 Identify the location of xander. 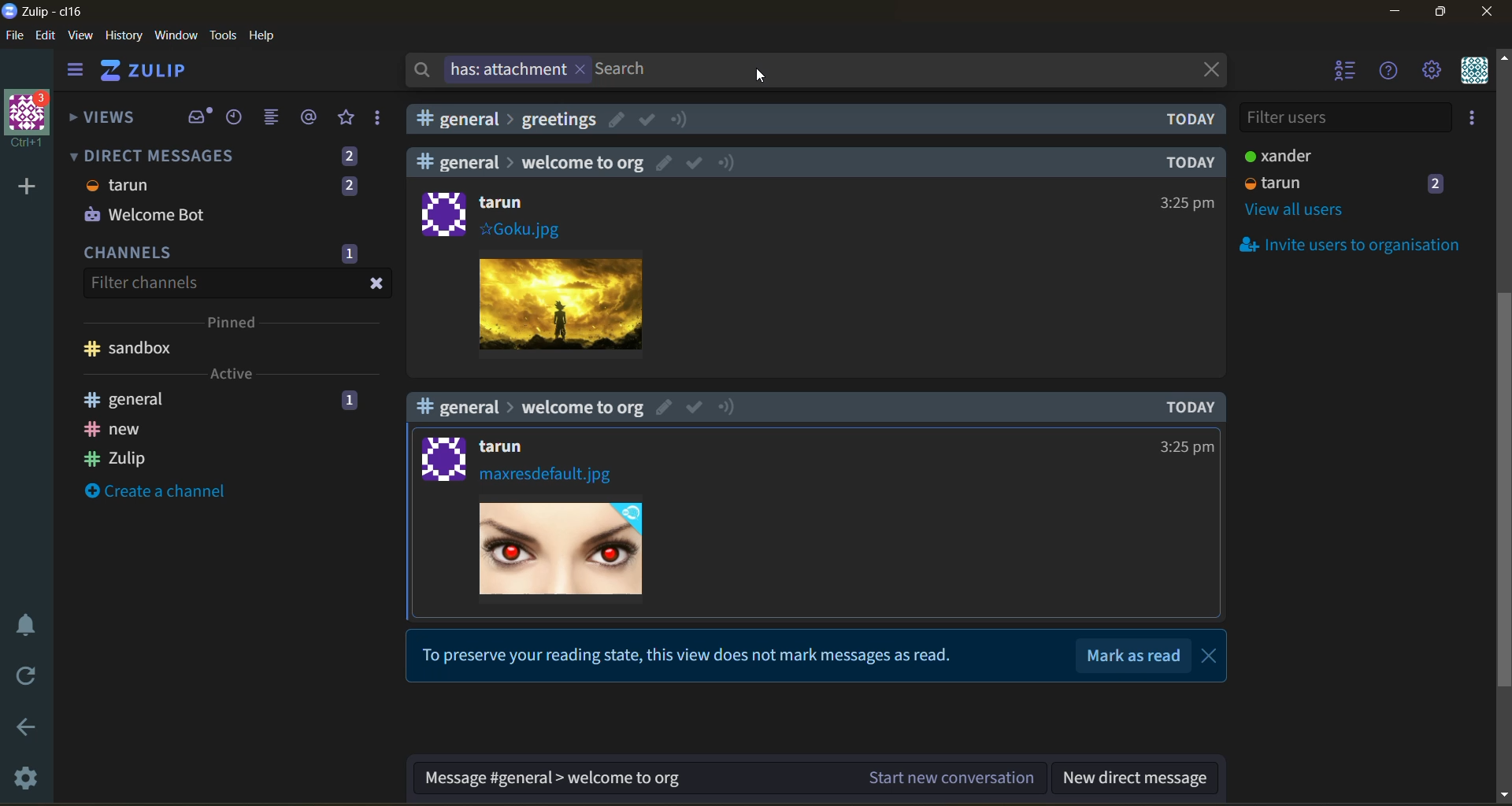
(1275, 155).